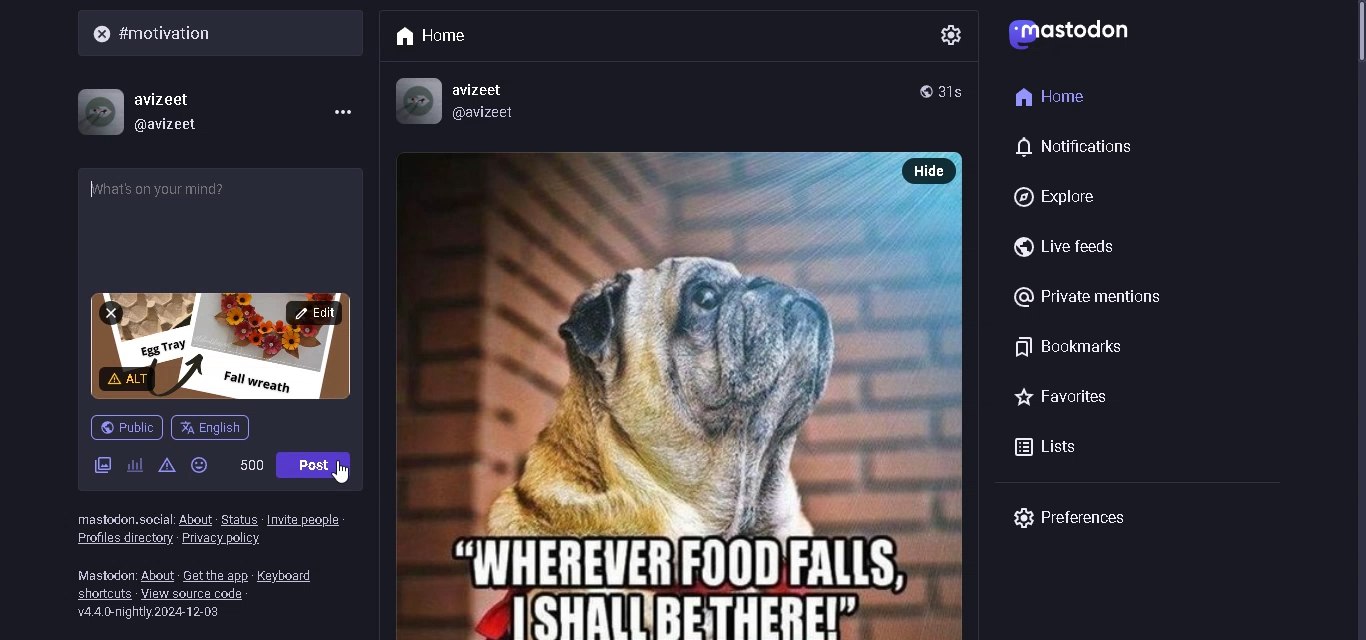  I want to click on photo, so click(258, 382).